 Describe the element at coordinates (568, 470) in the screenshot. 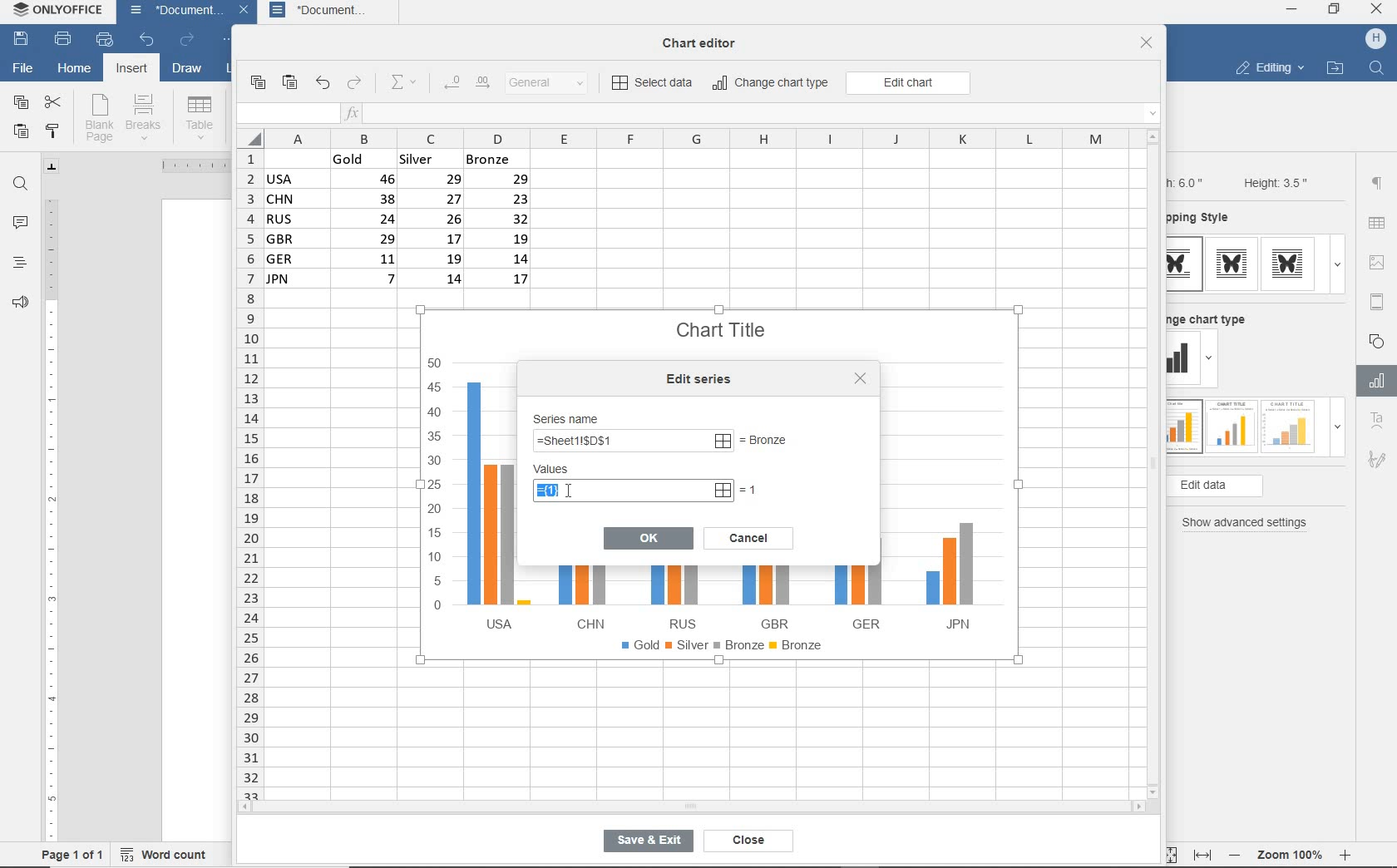

I see `values` at that location.